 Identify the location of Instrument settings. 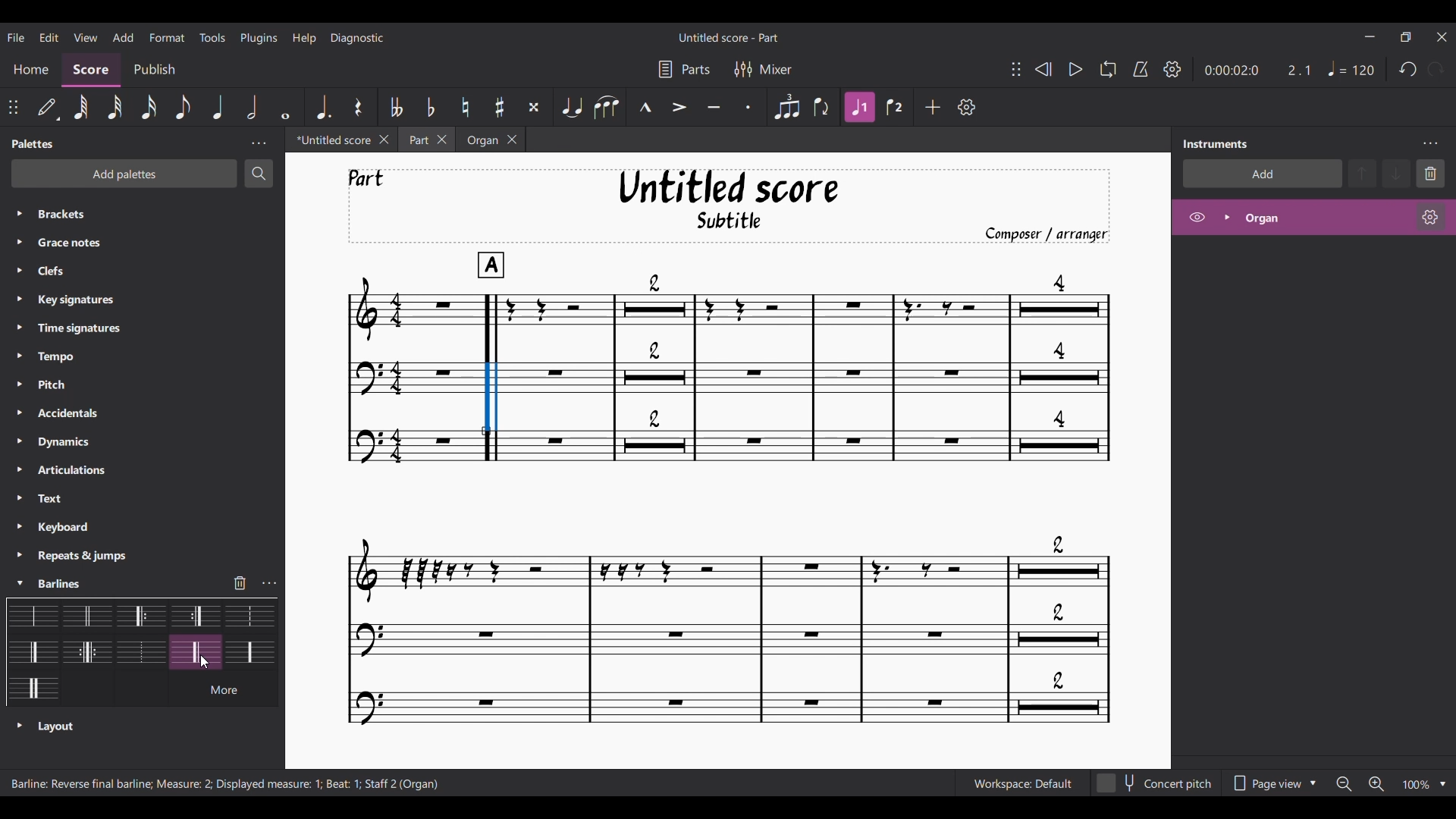
(1431, 144).